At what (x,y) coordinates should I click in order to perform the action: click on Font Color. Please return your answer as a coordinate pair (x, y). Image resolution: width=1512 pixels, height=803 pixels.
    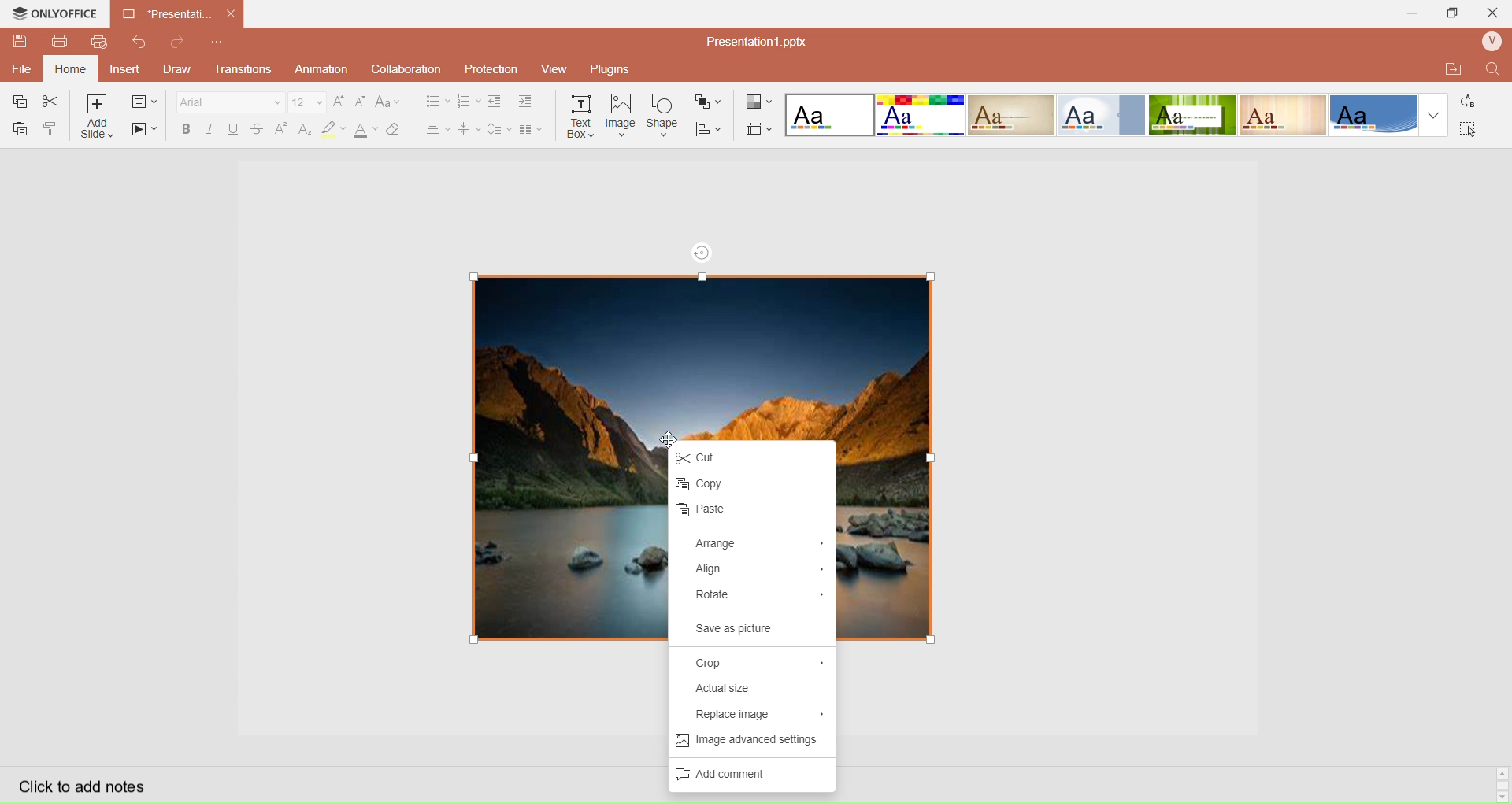
    Looking at the image, I should click on (367, 130).